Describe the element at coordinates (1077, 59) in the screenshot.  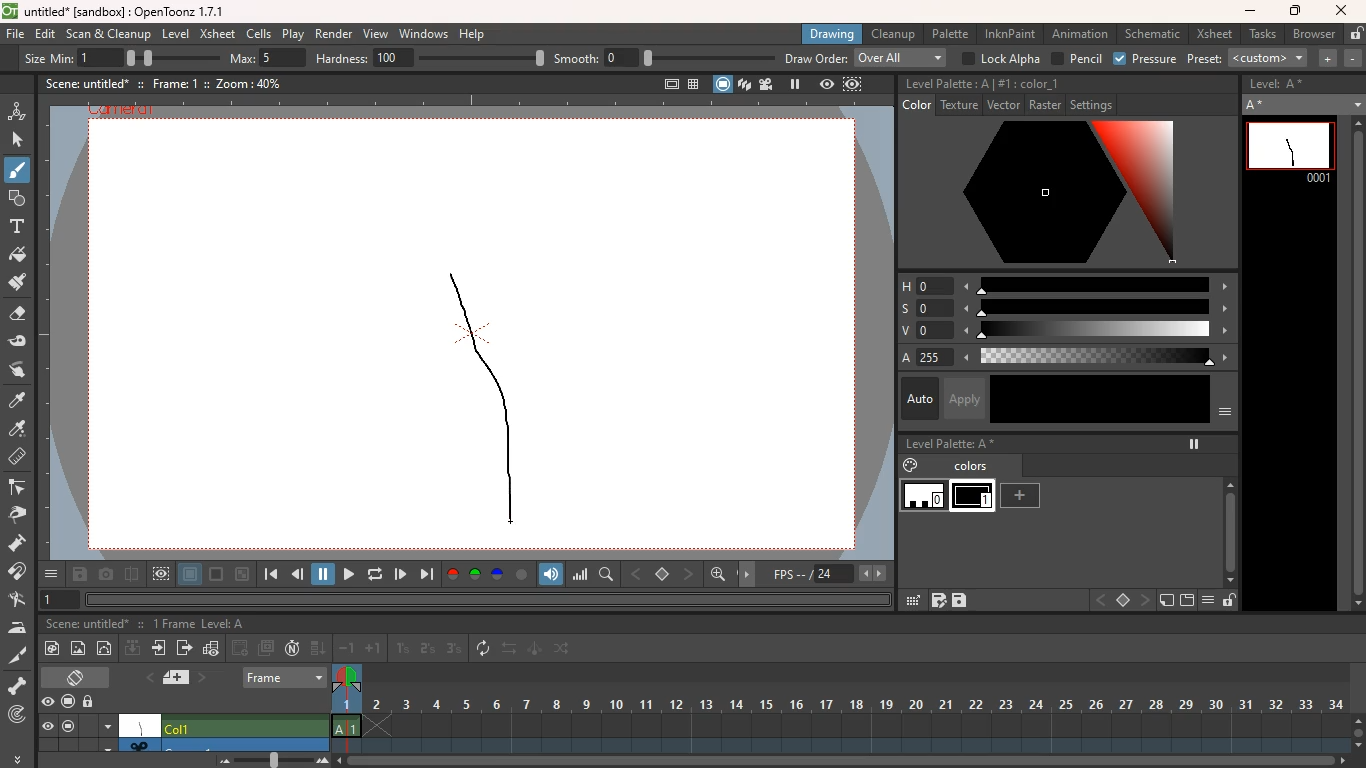
I see `pencil` at that location.